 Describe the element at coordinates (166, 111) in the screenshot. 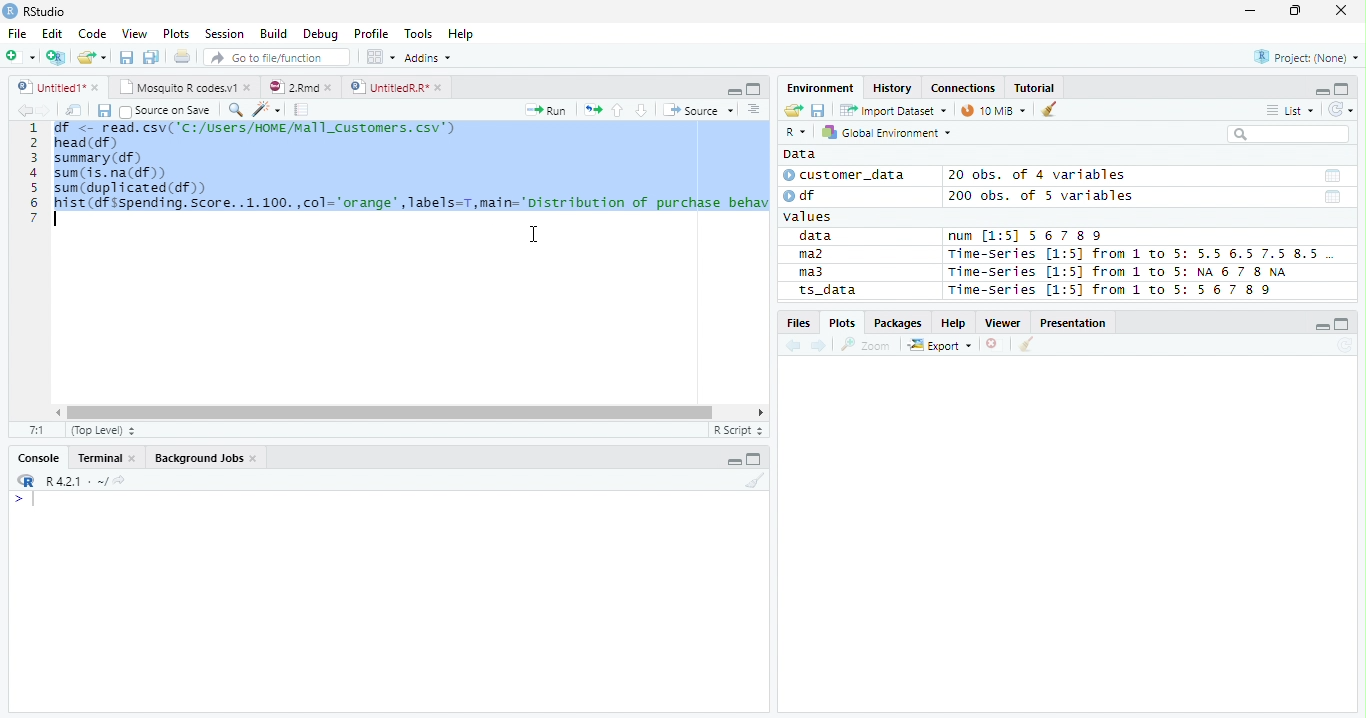

I see `Source on save` at that location.